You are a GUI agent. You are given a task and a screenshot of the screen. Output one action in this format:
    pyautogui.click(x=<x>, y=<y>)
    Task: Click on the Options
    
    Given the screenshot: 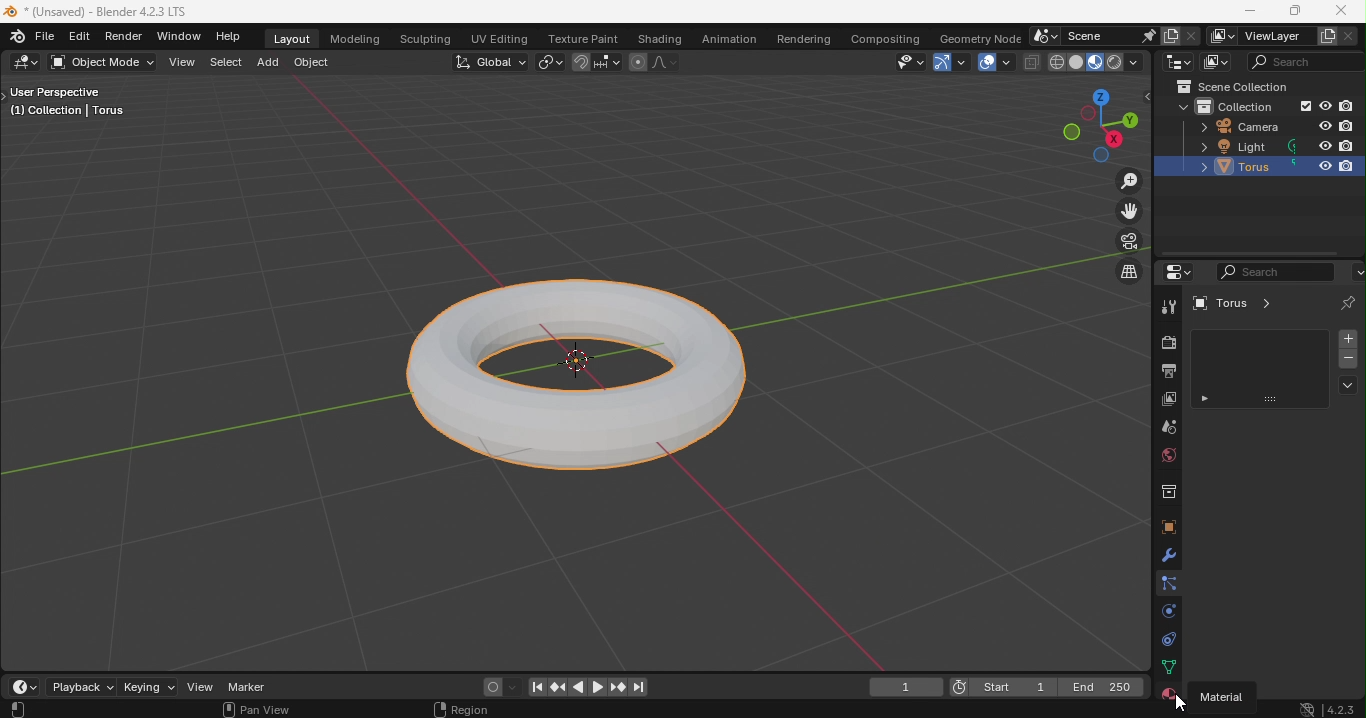 What is the action you would take?
    pyautogui.click(x=1357, y=269)
    